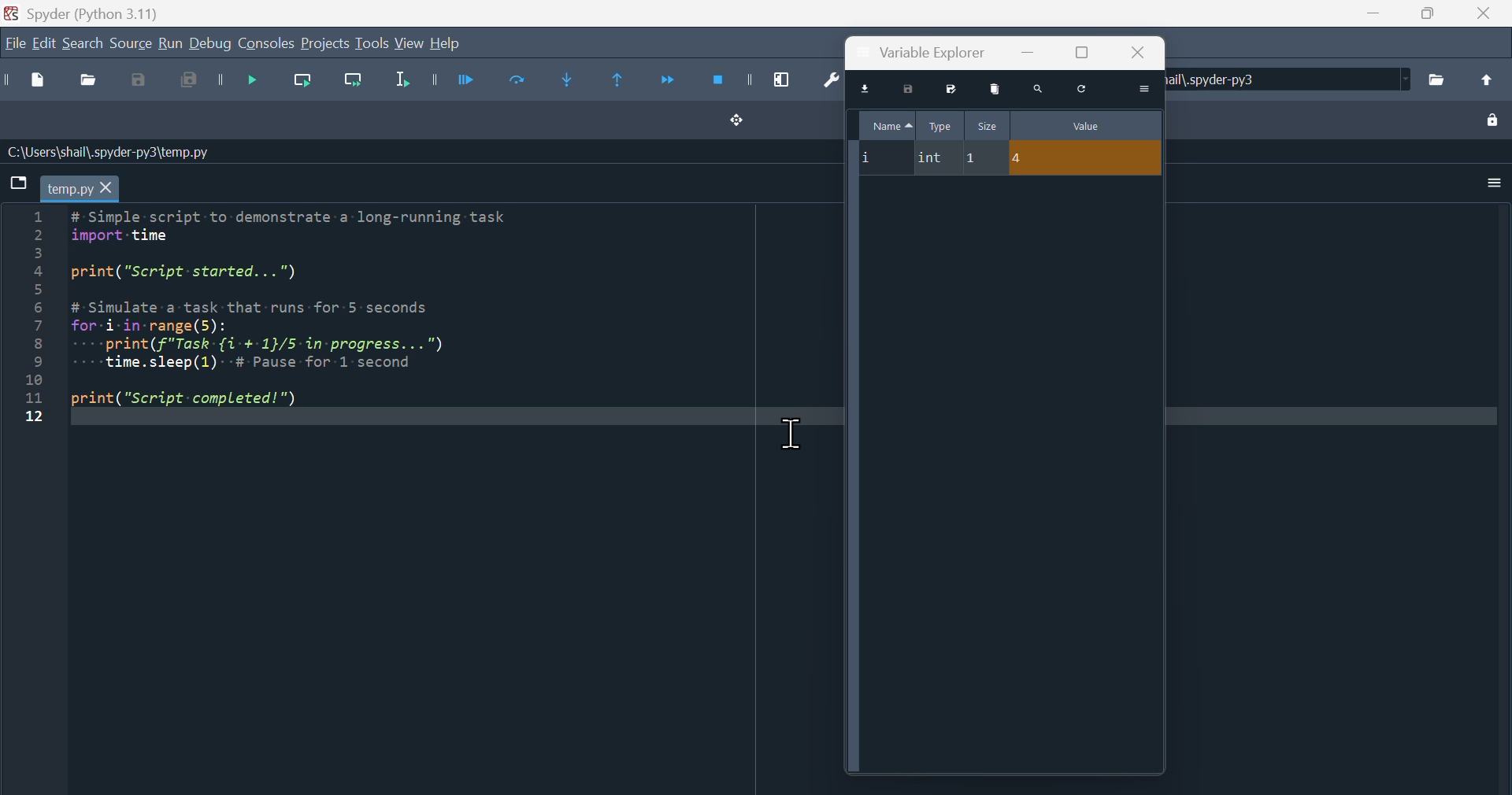 The height and width of the screenshot is (795, 1512). Describe the element at coordinates (799, 434) in the screenshot. I see `Cursor` at that location.